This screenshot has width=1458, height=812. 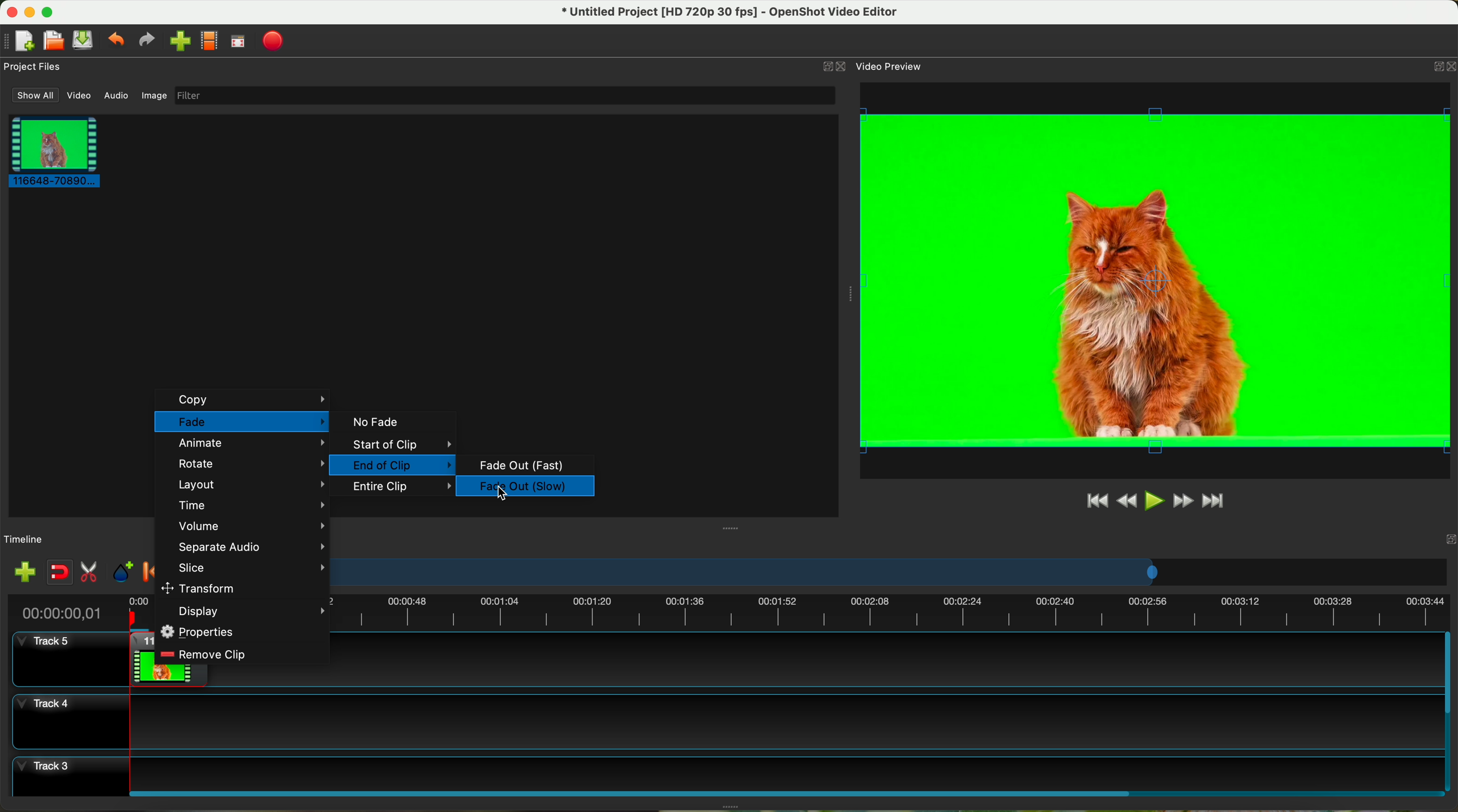 What do you see at coordinates (250, 444) in the screenshot?
I see `animate` at bounding box center [250, 444].